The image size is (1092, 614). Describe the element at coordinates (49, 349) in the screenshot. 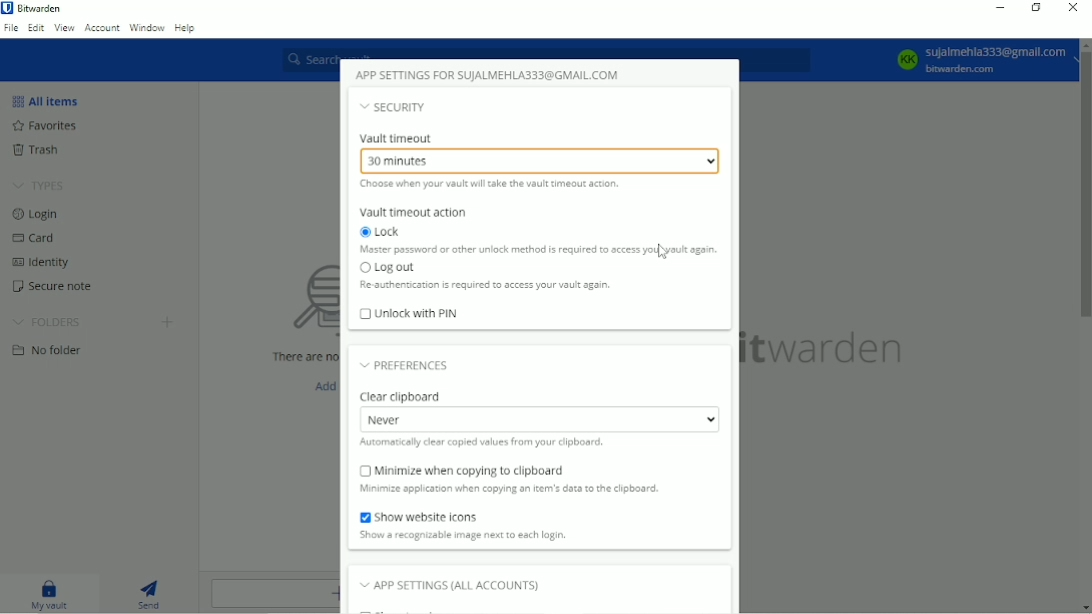

I see `No folder` at that location.